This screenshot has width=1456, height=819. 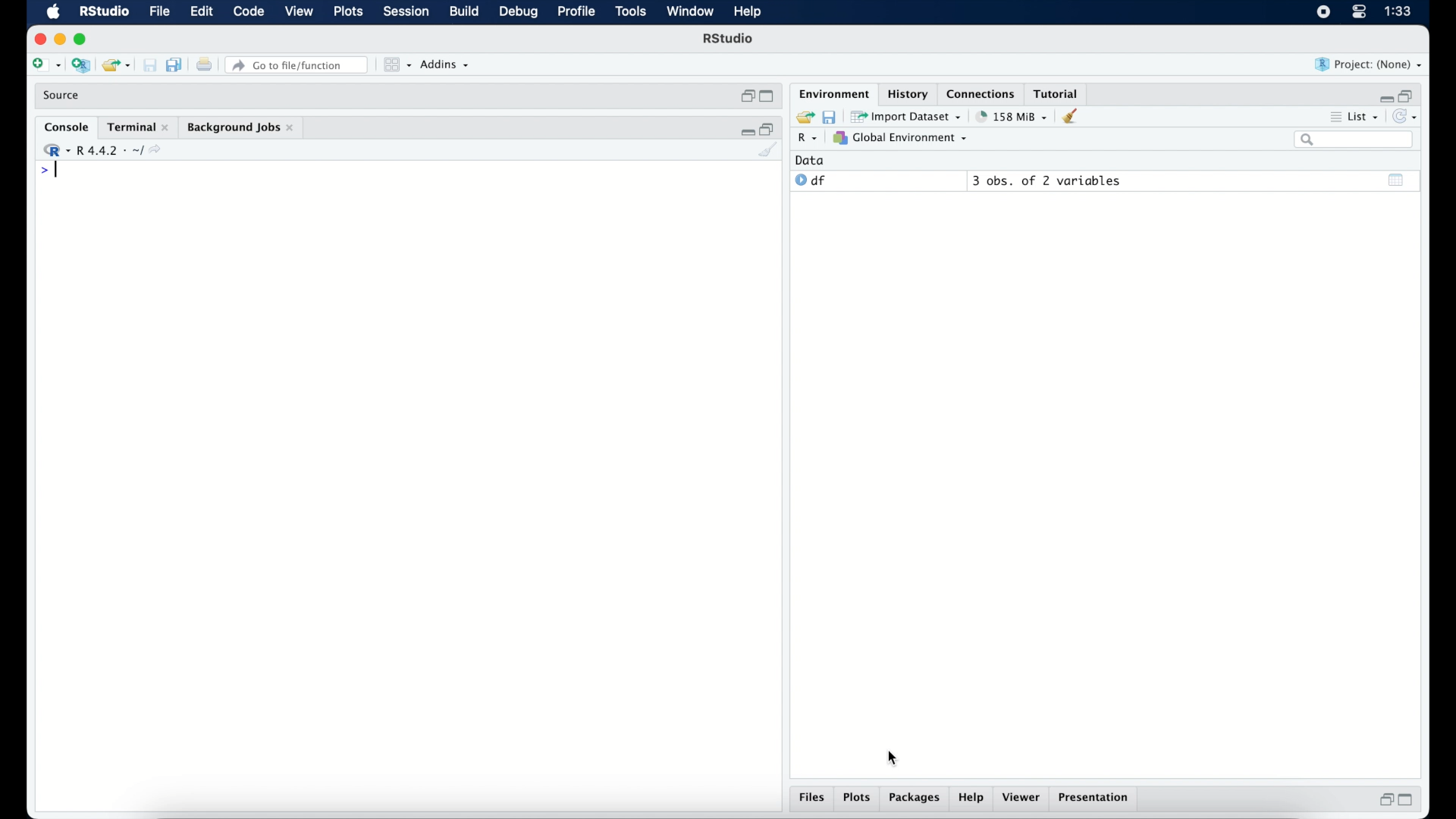 What do you see at coordinates (1409, 117) in the screenshot?
I see `refresh` at bounding box center [1409, 117].